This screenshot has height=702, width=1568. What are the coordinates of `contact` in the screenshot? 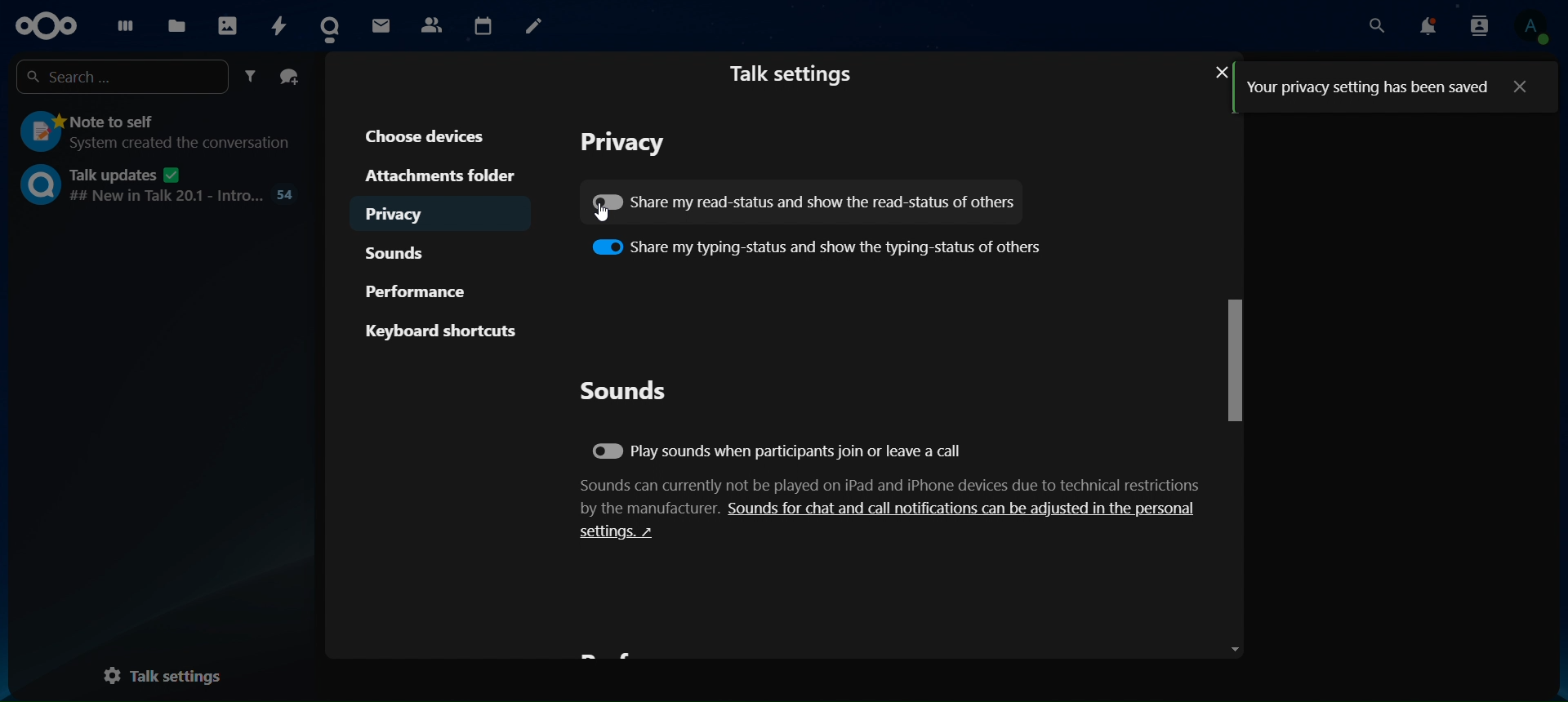 It's located at (431, 23).